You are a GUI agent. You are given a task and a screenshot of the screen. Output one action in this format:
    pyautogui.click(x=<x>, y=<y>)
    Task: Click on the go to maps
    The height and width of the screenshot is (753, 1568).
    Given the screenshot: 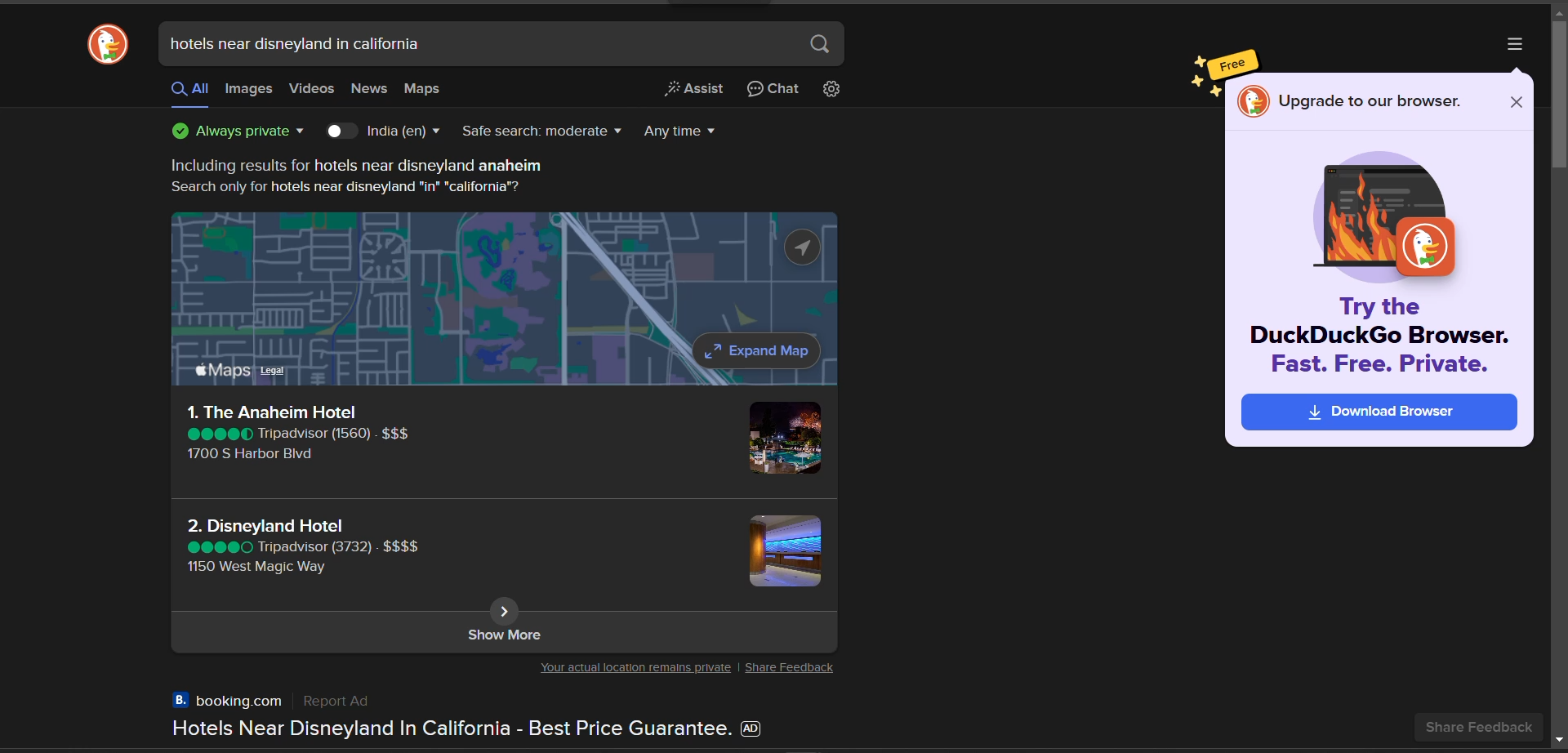 What is the action you would take?
    pyautogui.click(x=507, y=609)
    